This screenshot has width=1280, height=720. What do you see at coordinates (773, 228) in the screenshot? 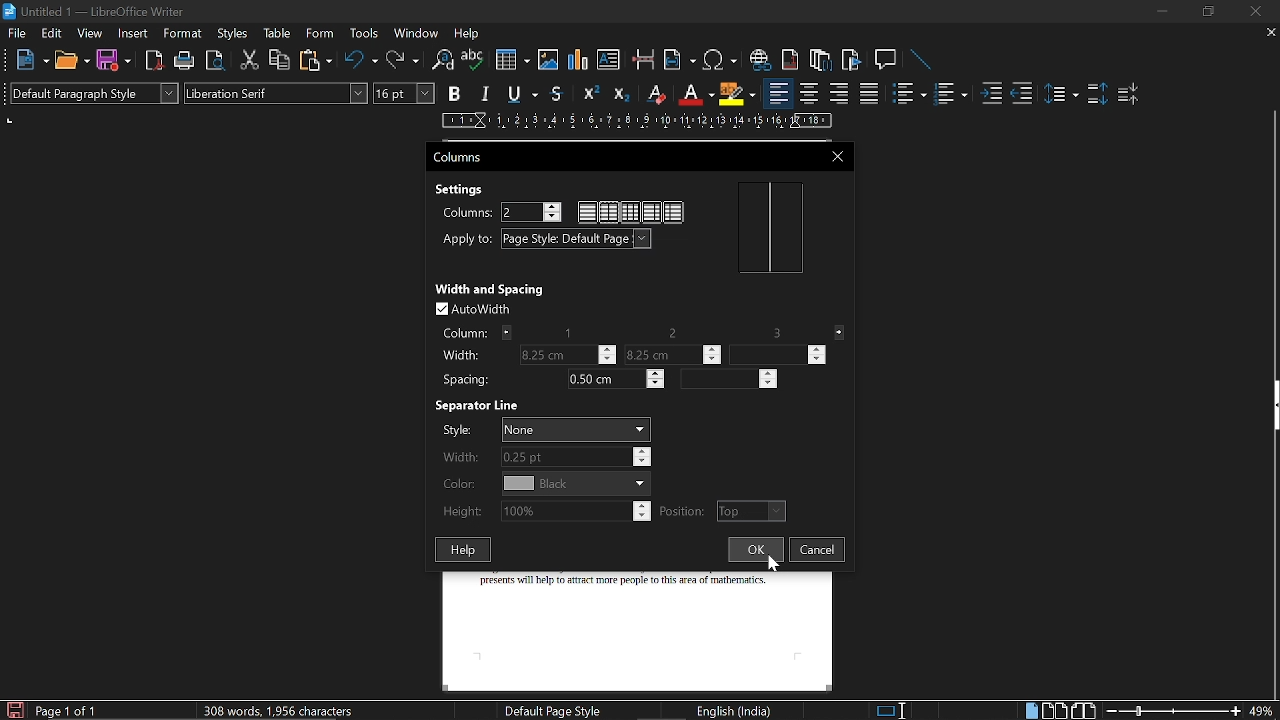
I see `layout preview` at bounding box center [773, 228].